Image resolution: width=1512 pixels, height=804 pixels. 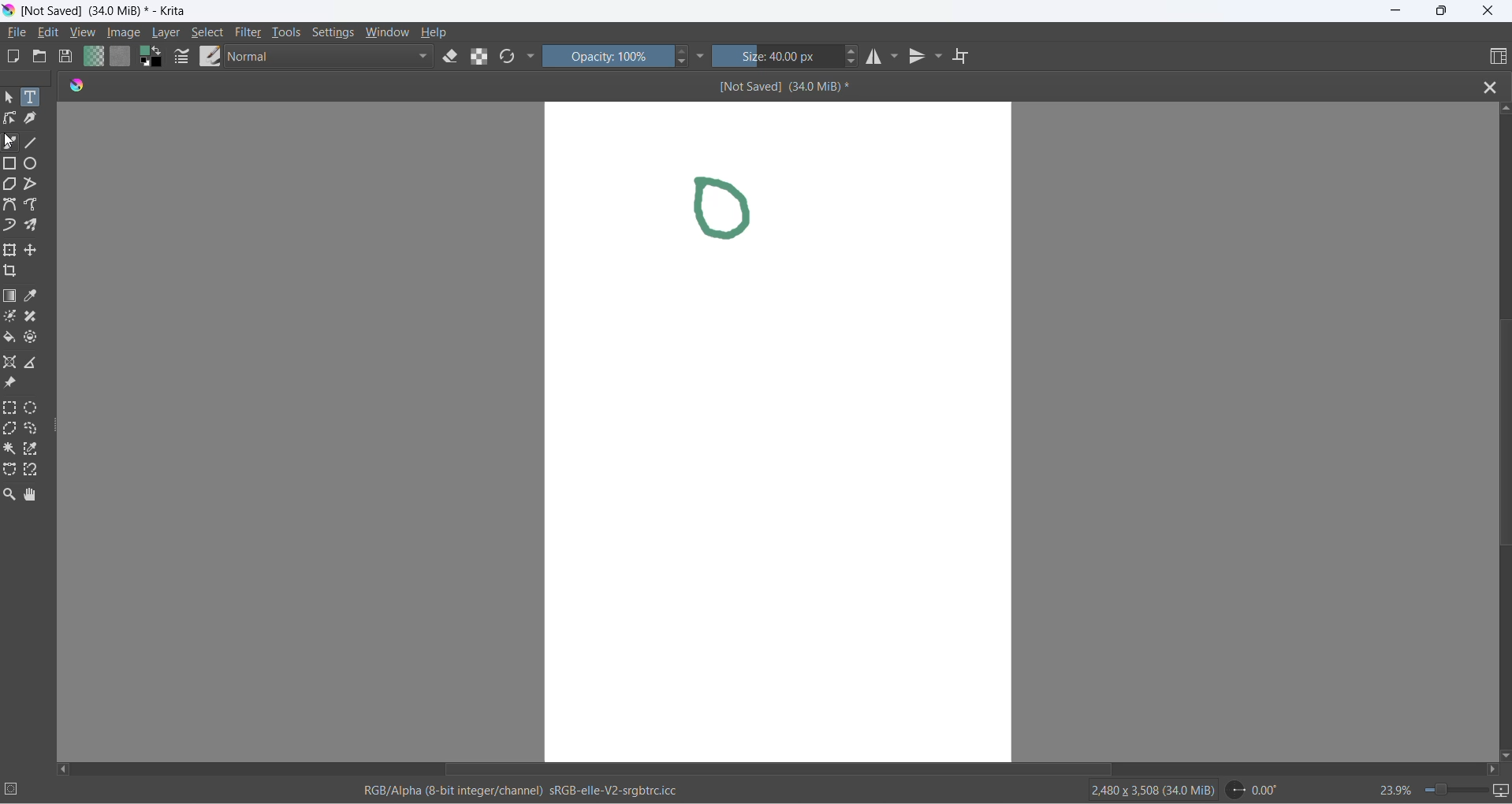 What do you see at coordinates (1503, 109) in the screenshot?
I see `scroll up button` at bounding box center [1503, 109].